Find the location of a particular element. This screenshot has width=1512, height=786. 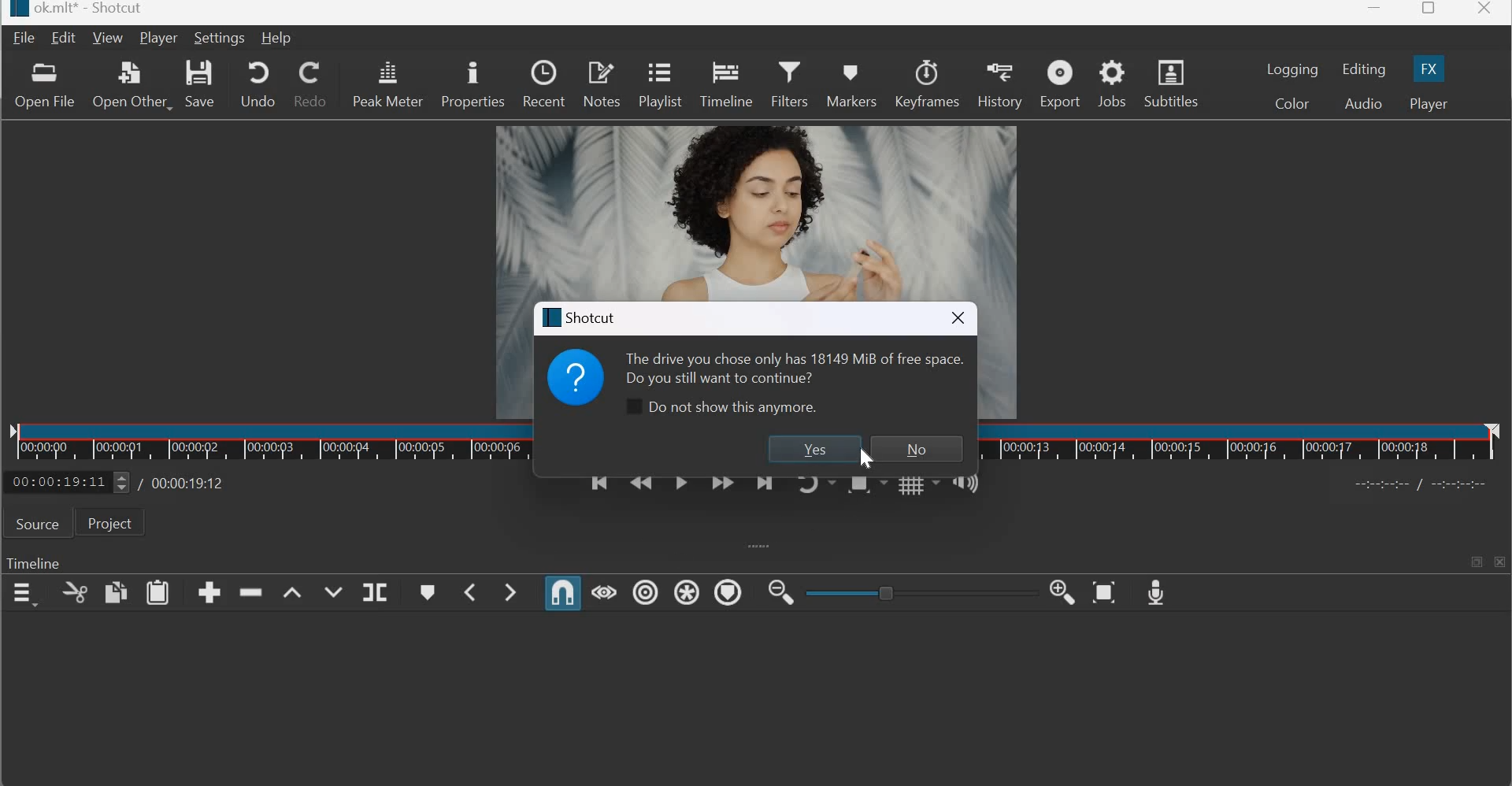

Notes is located at coordinates (601, 83).